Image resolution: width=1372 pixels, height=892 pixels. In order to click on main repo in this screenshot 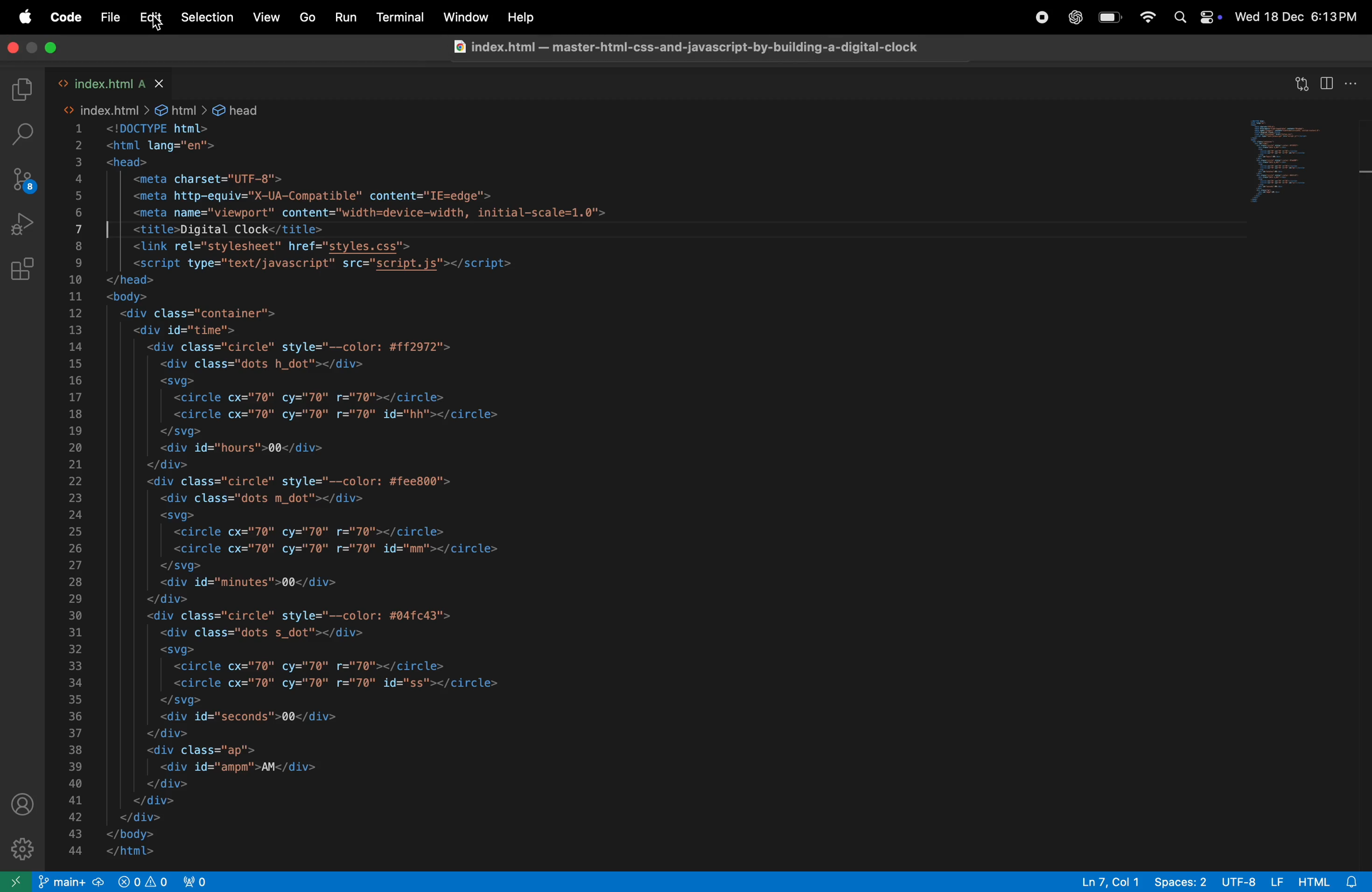, I will do `click(72, 882)`.